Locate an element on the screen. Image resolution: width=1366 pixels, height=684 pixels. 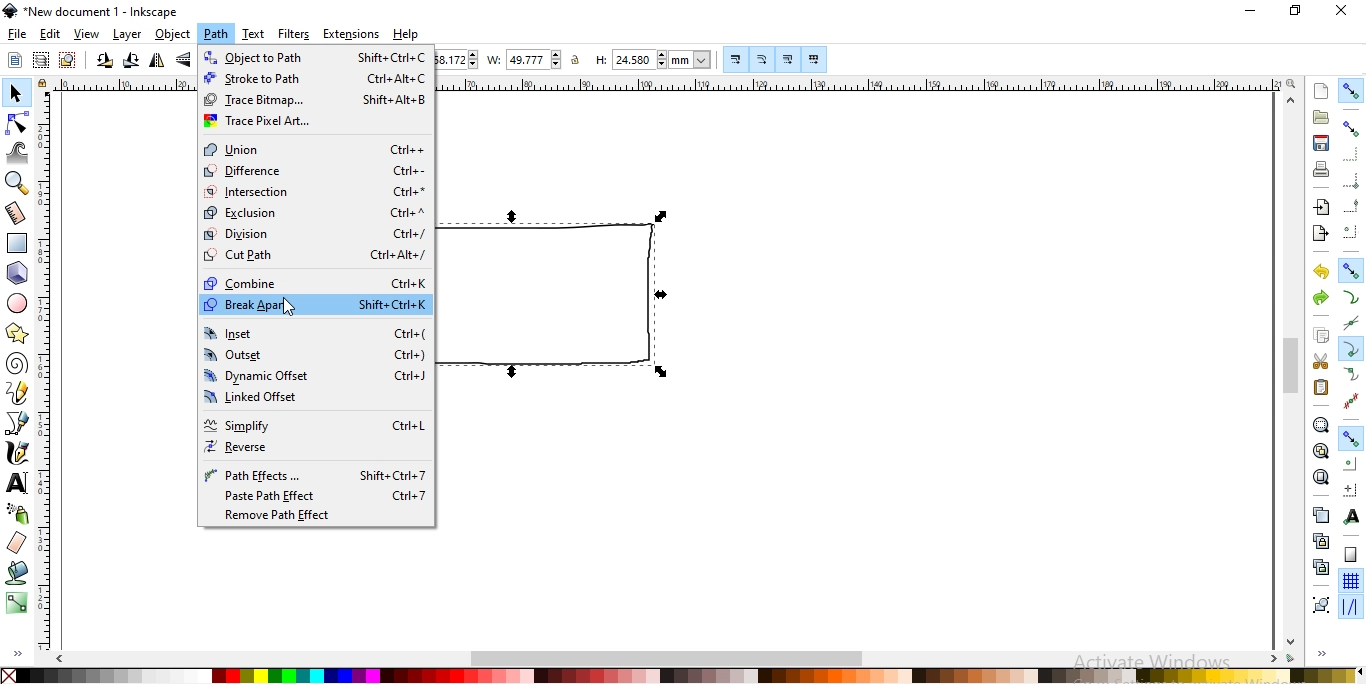
filters is located at coordinates (294, 34).